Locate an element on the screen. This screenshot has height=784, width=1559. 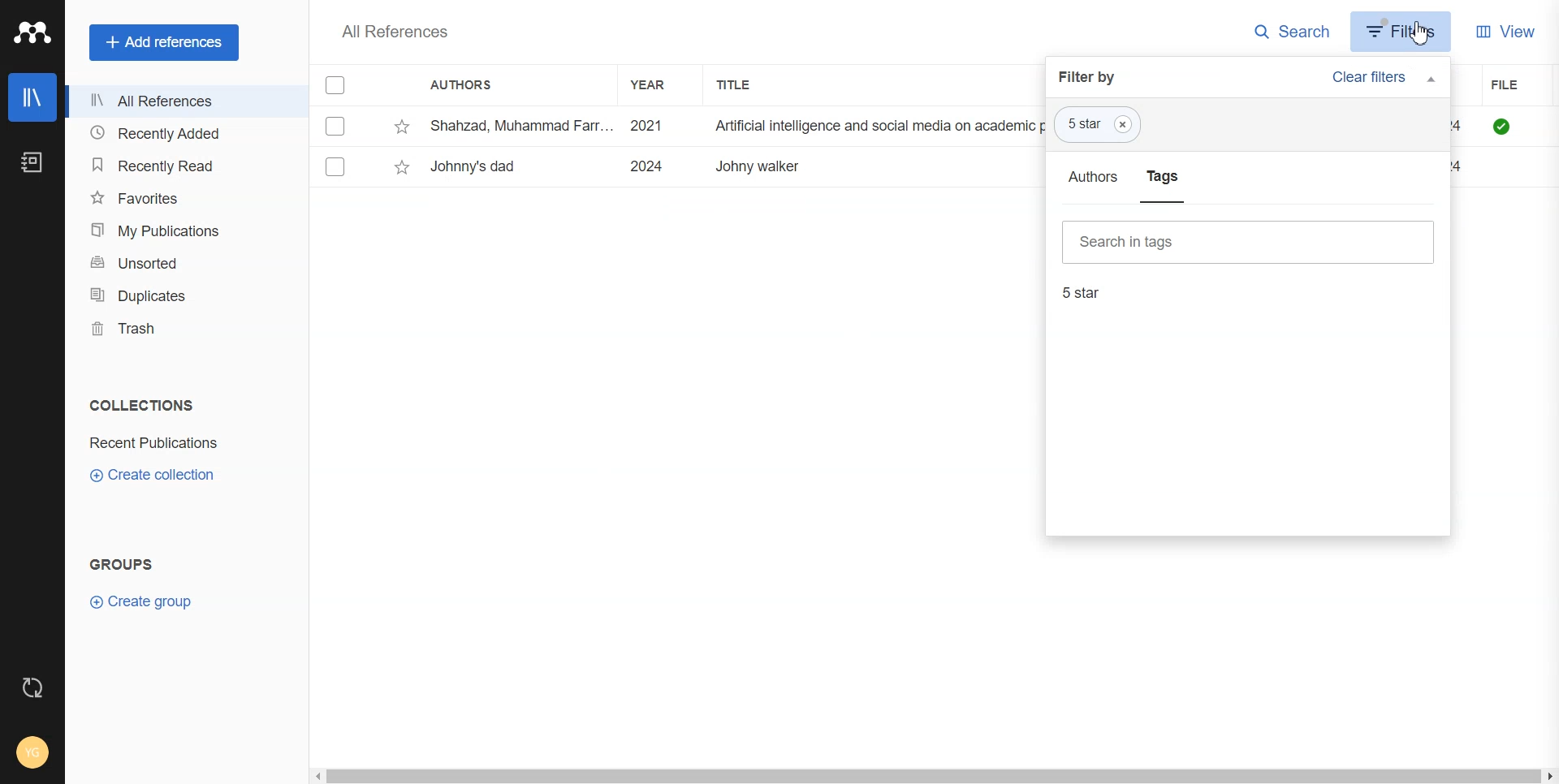
Trash is located at coordinates (180, 328).